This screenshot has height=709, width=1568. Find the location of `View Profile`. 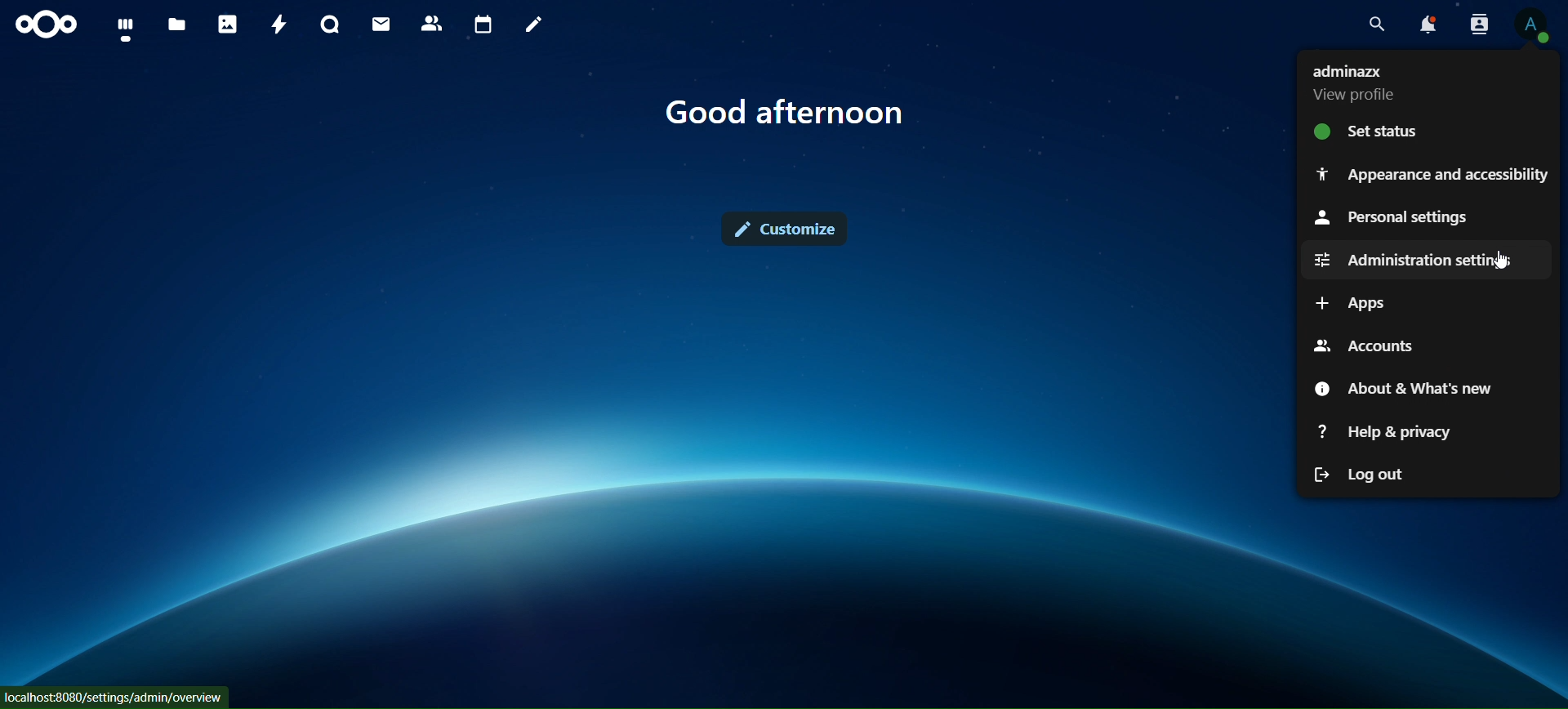

View Profile is located at coordinates (1534, 25).